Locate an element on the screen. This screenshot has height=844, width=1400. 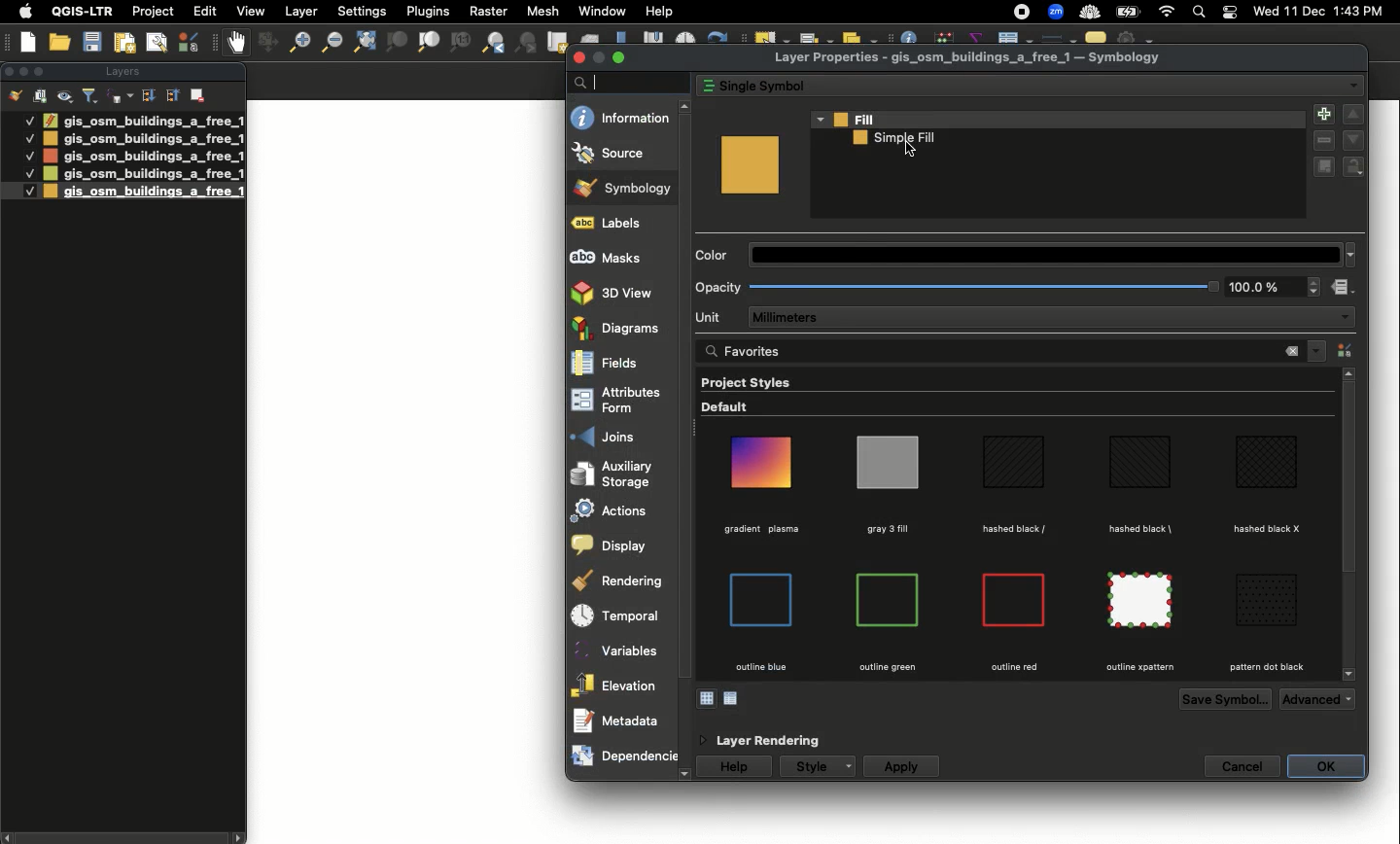
1:1 is located at coordinates (459, 43).